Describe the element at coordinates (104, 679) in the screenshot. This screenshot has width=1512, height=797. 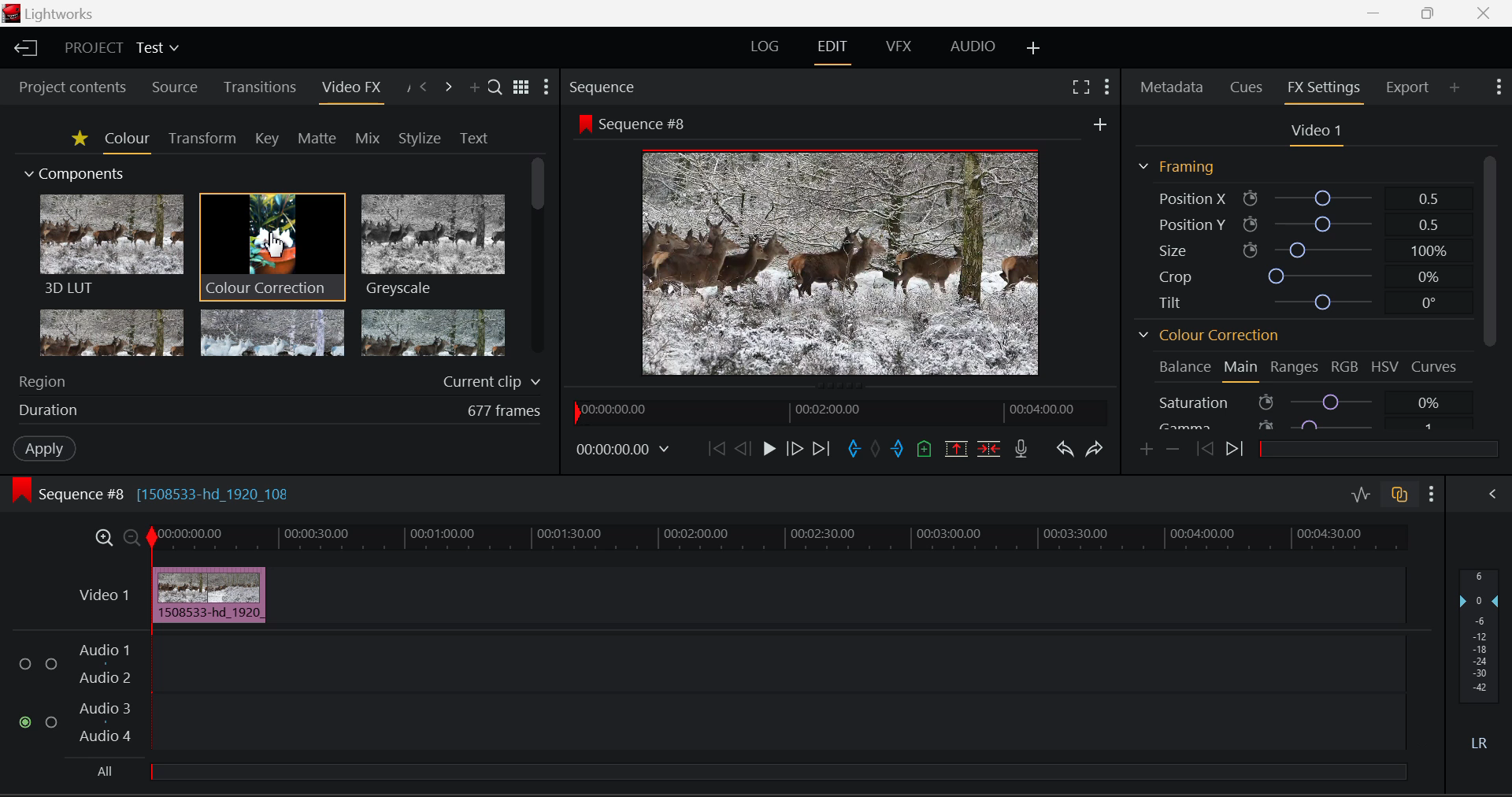
I see `Audio 2` at that location.